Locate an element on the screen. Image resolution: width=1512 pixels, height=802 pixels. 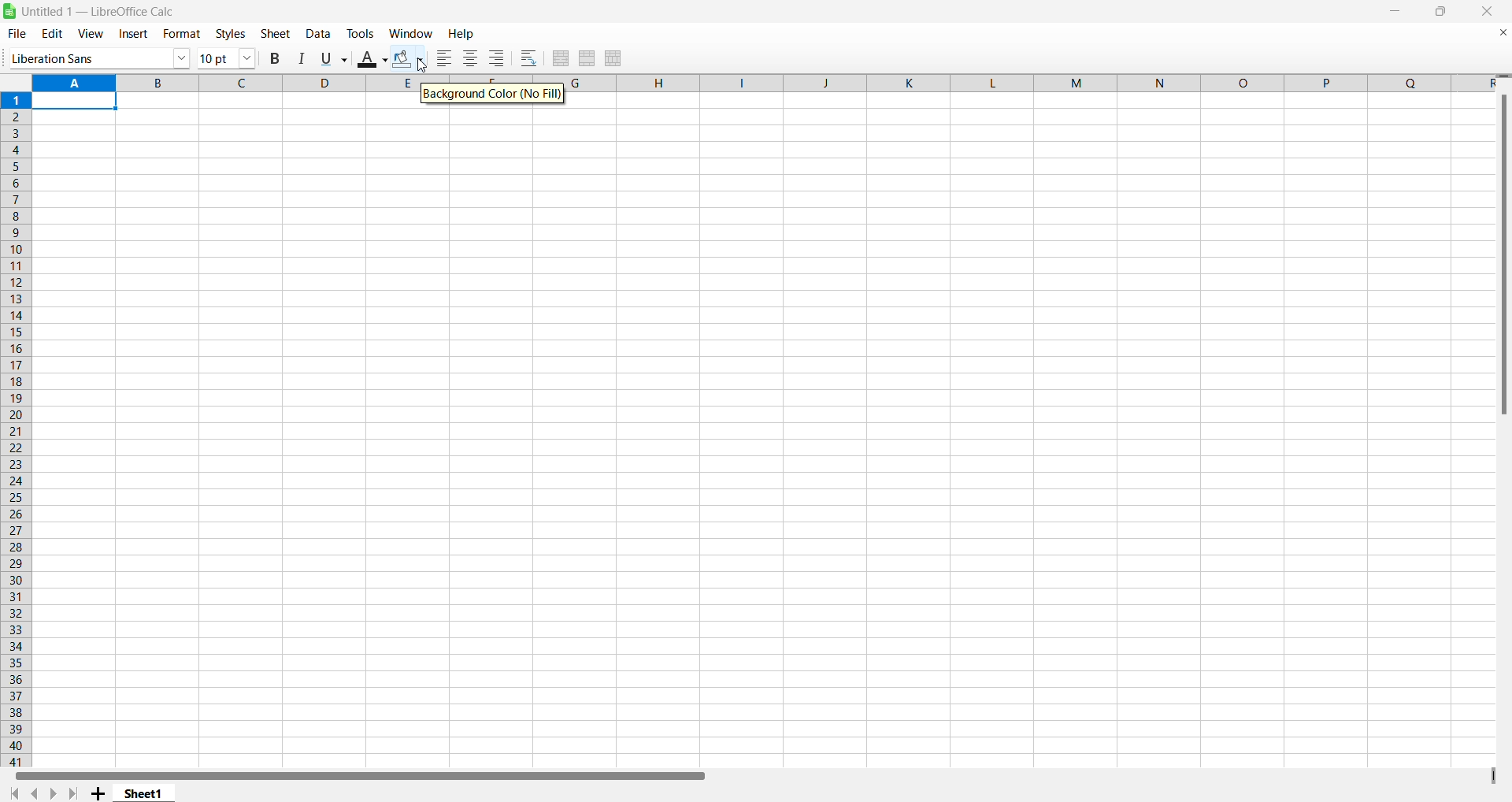
edit is located at coordinates (50, 32).